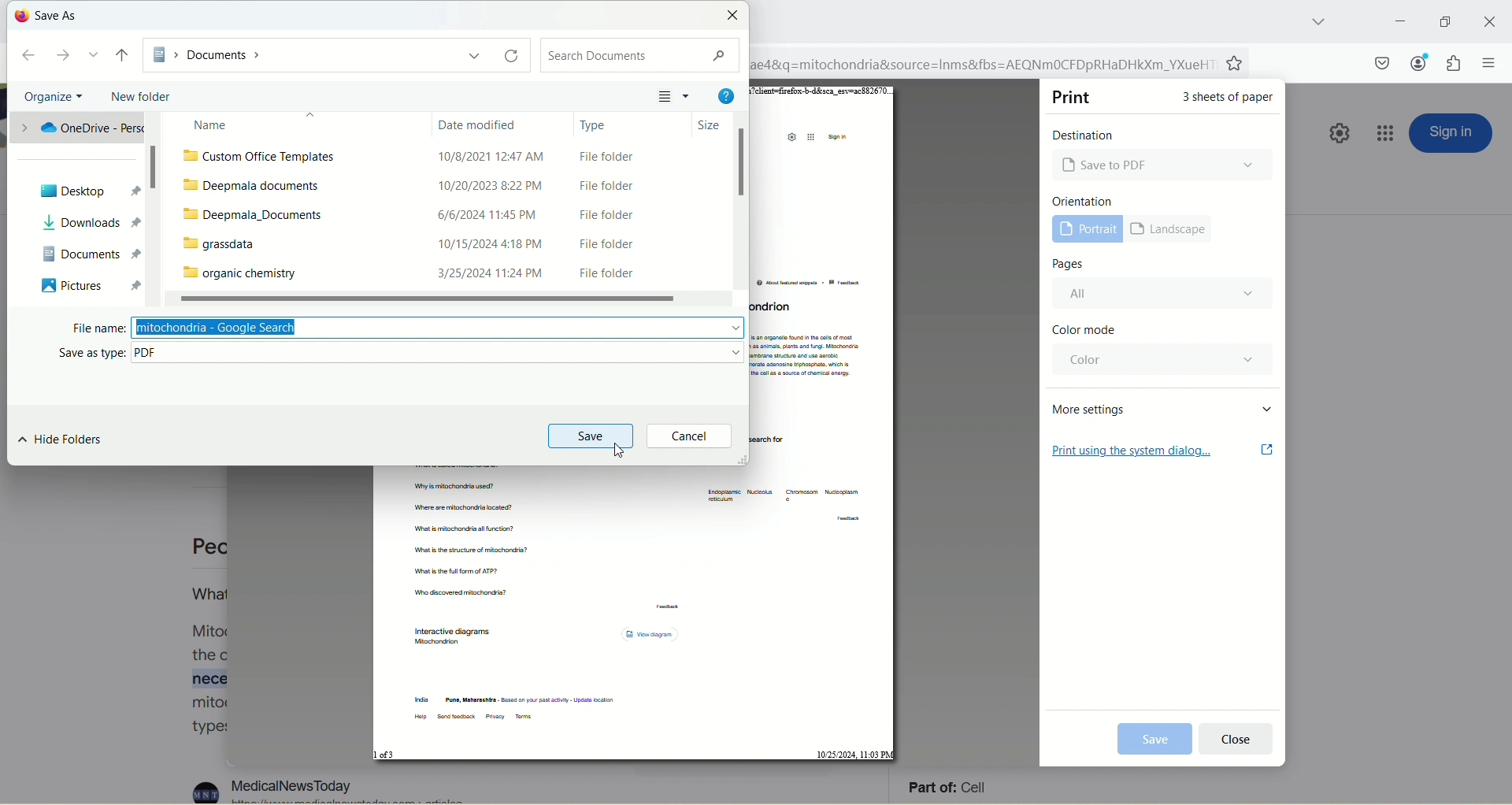 The image size is (1512, 805). What do you see at coordinates (1396, 21) in the screenshot?
I see `minimize` at bounding box center [1396, 21].